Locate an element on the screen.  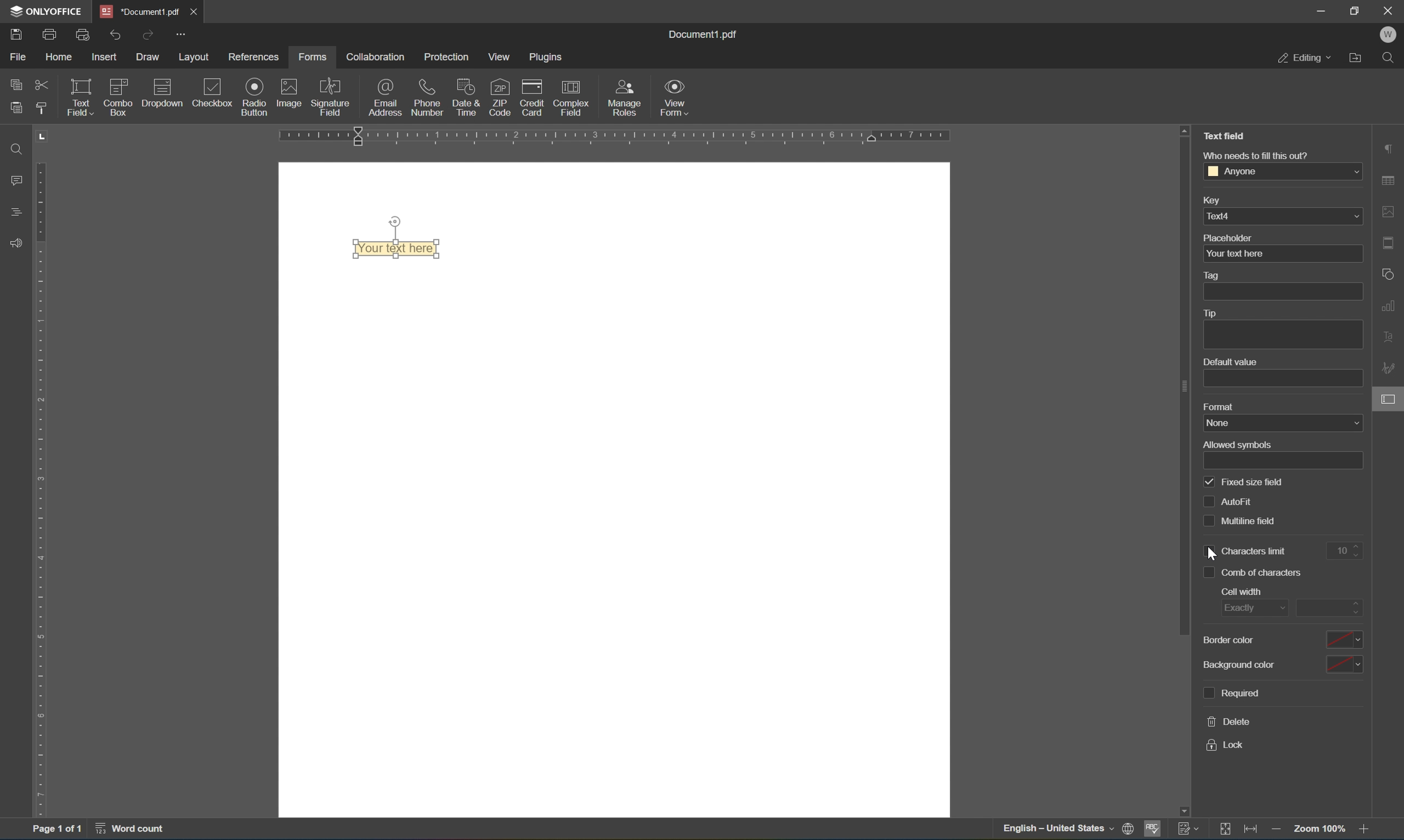
text field is located at coordinates (1223, 135).